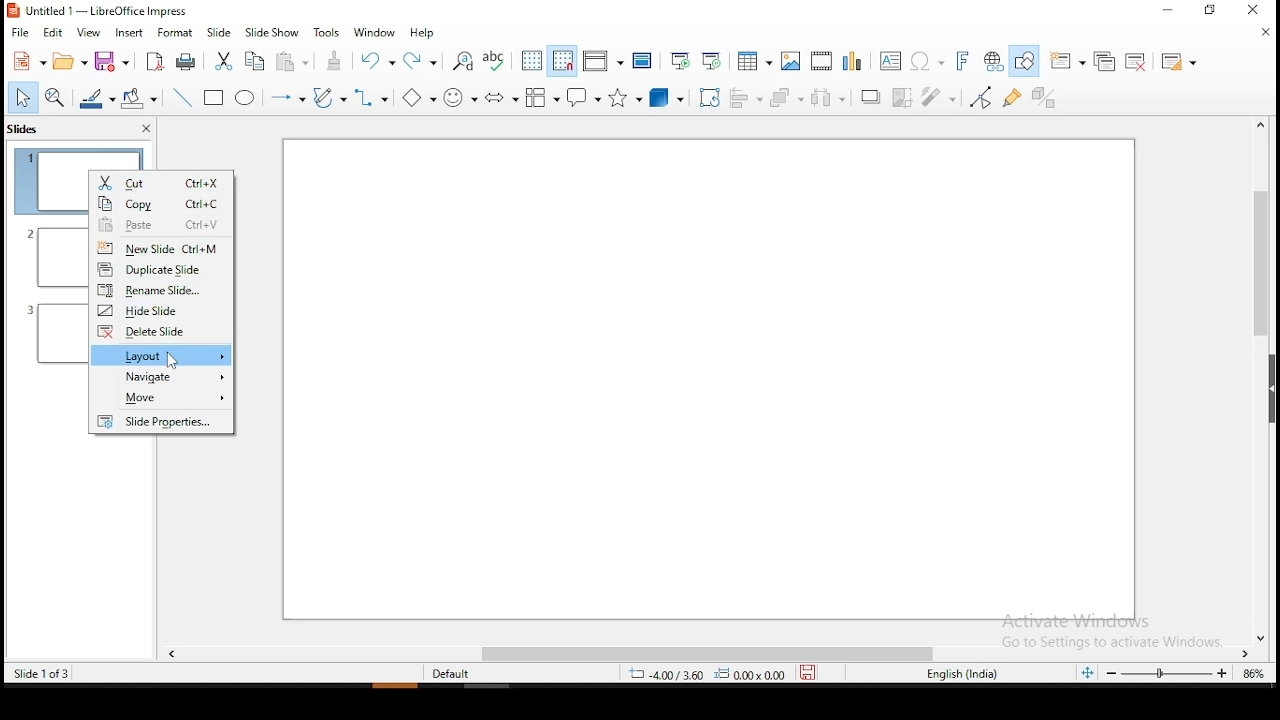  What do you see at coordinates (87, 33) in the screenshot?
I see `view` at bounding box center [87, 33].